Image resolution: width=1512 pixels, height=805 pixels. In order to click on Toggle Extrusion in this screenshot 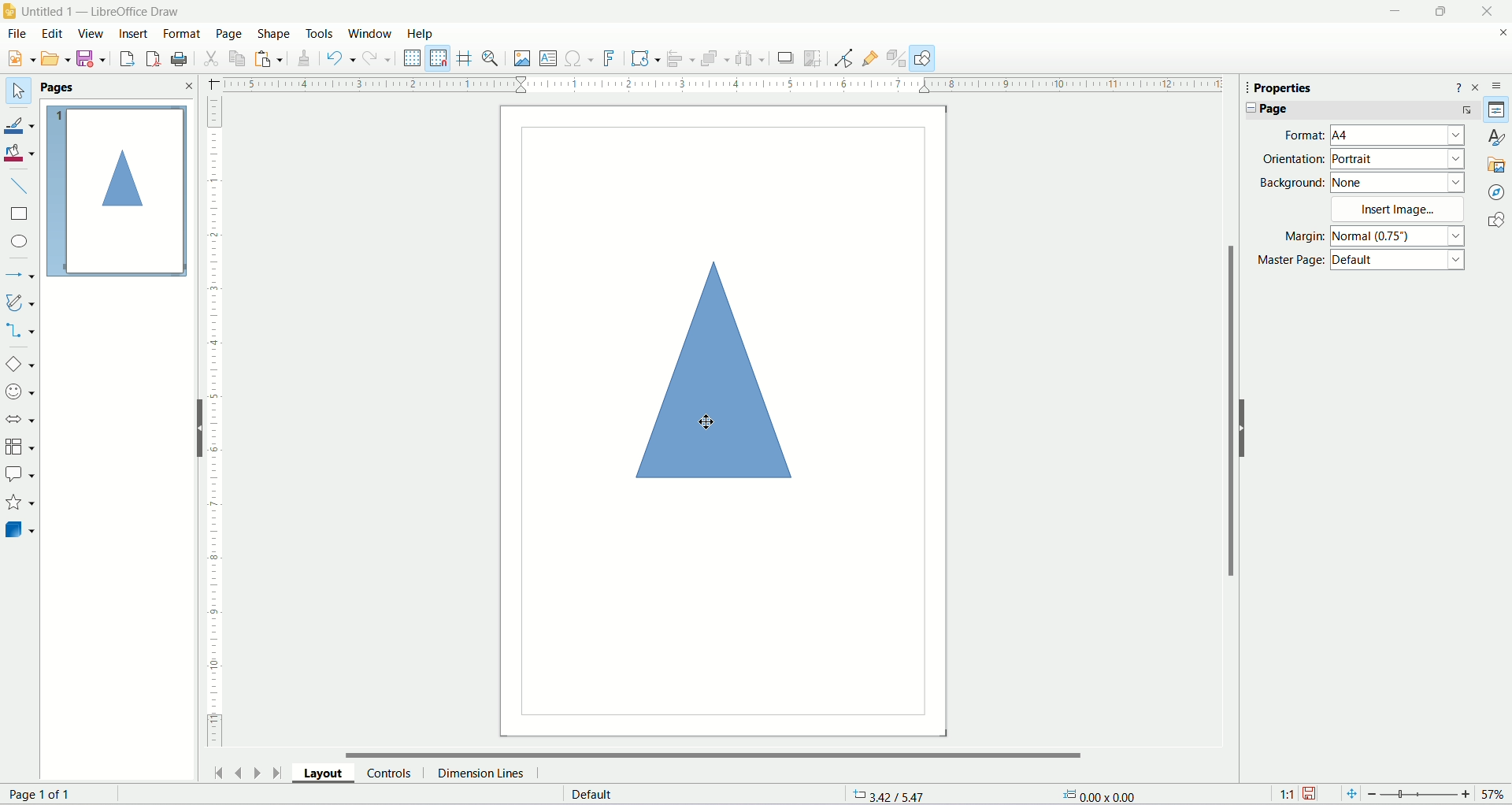, I will do `click(897, 57)`.